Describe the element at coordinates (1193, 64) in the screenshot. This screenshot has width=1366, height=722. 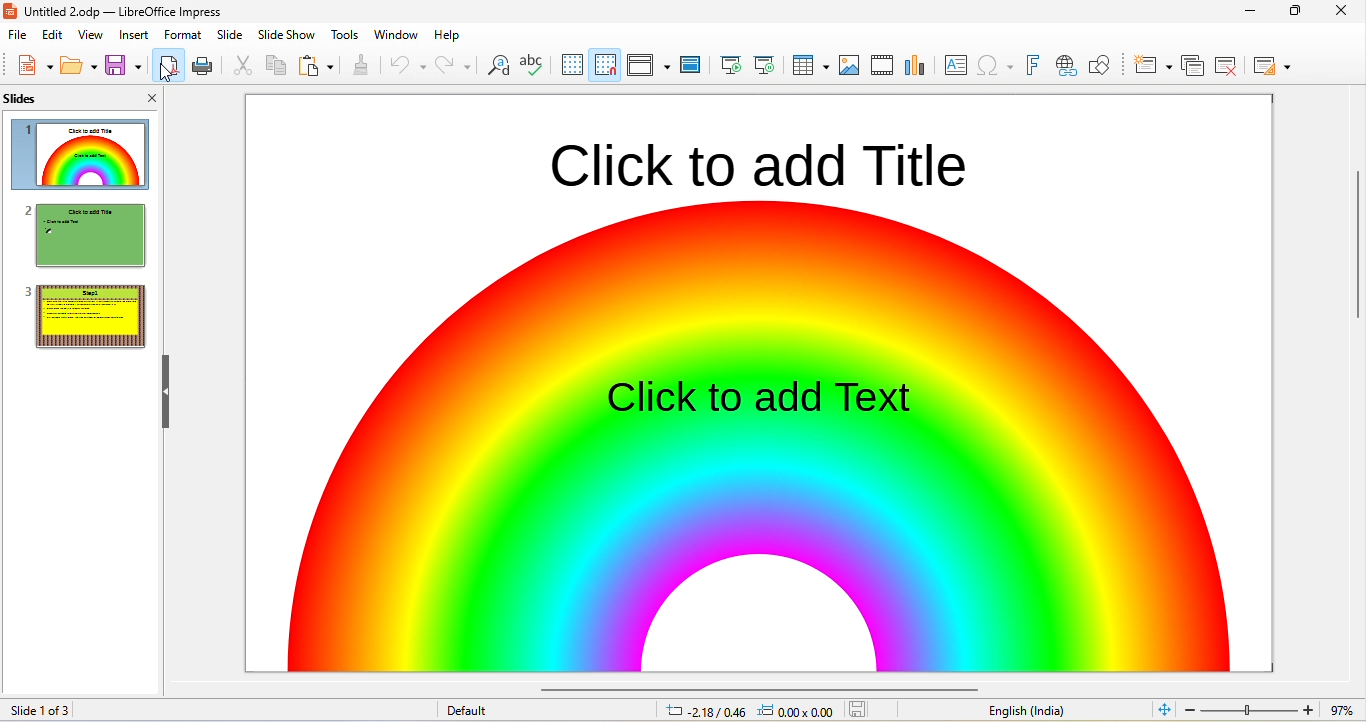
I see `duplicate slide` at that location.